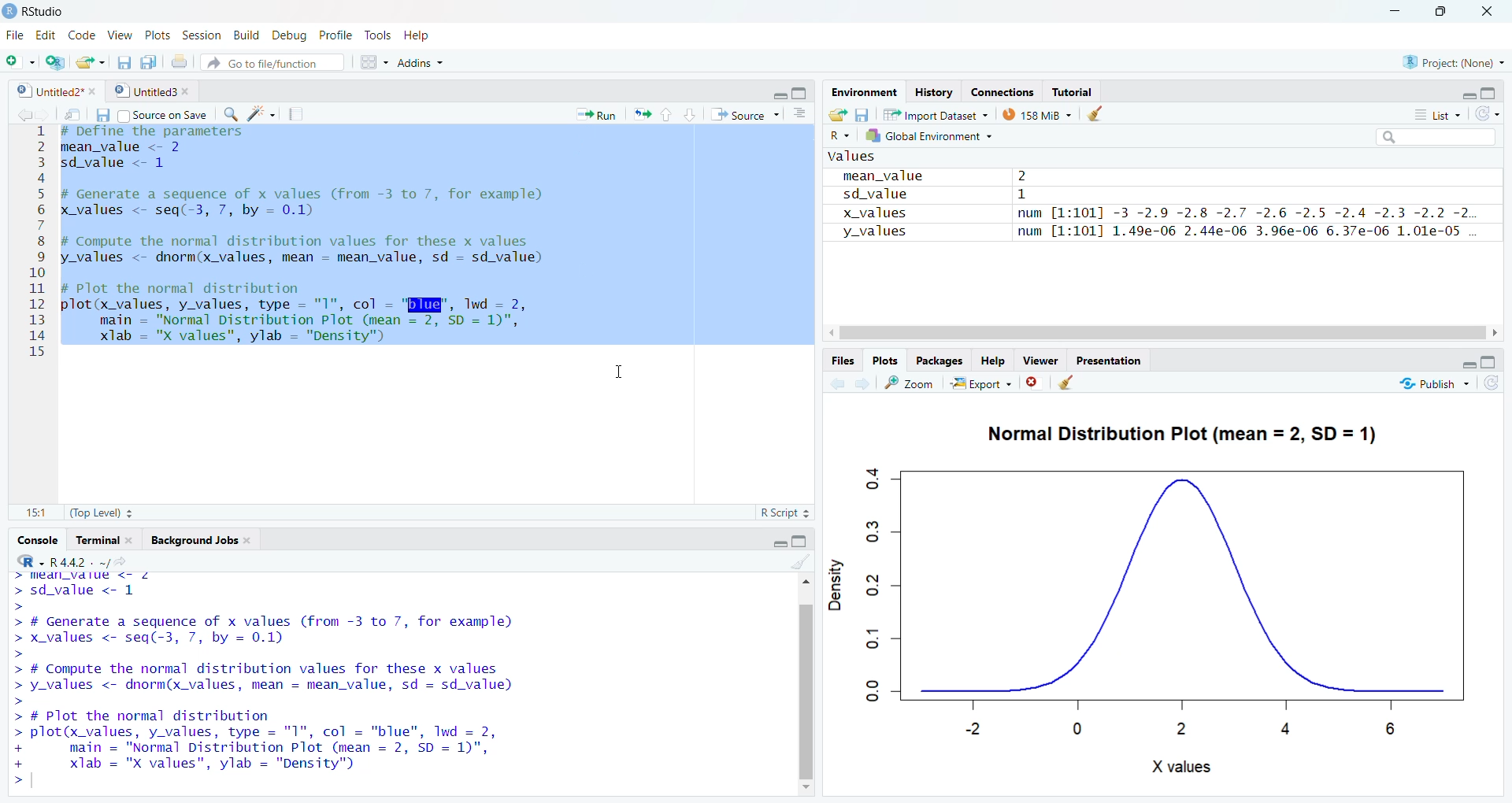 This screenshot has width=1512, height=803. What do you see at coordinates (87, 61) in the screenshot?
I see `open file` at bounding box center [87, 61].